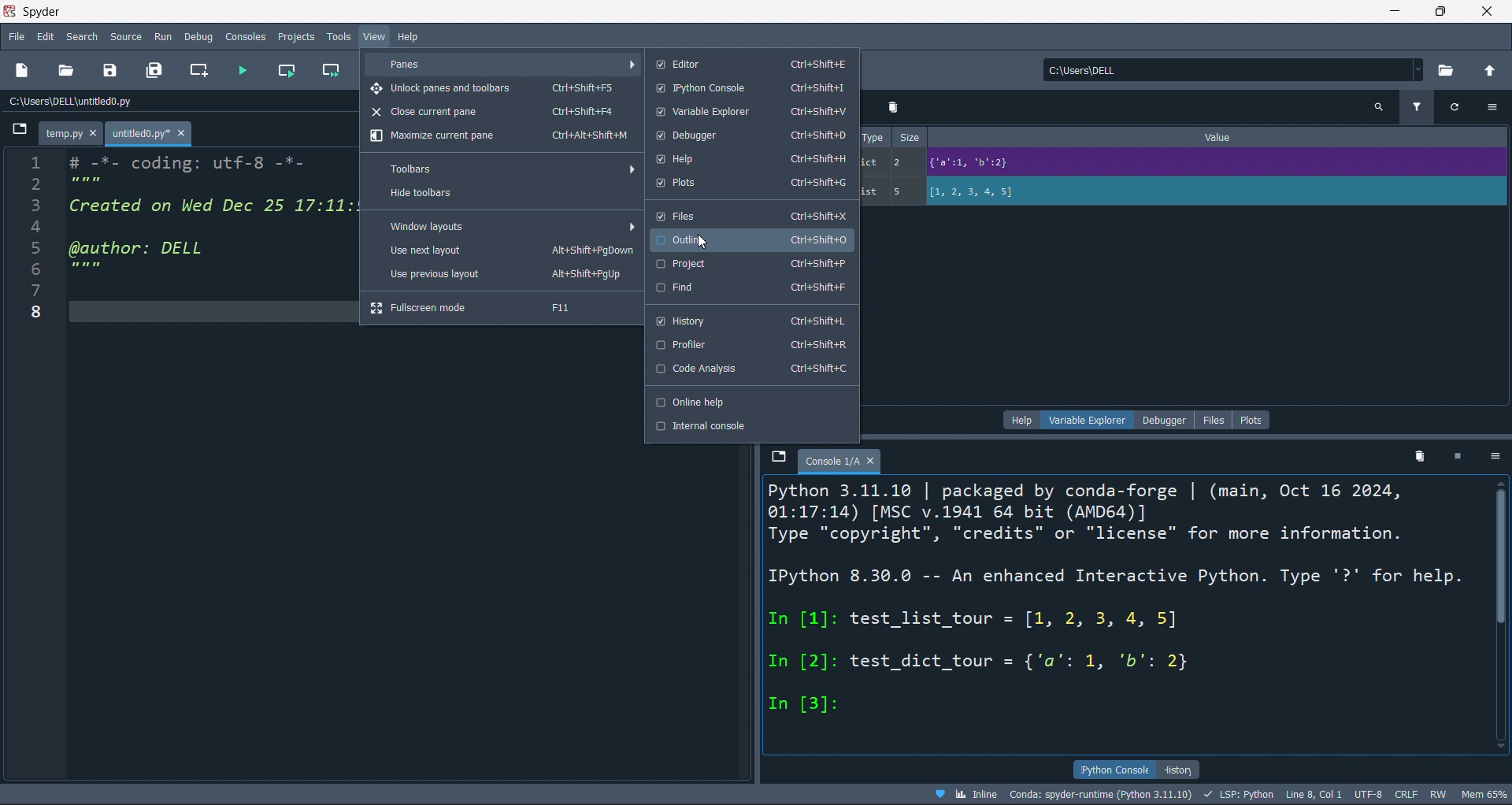  What do you see at coordinates (748, 428) in the screenshot?
I see `internal console` at bounding box center [748, 428].